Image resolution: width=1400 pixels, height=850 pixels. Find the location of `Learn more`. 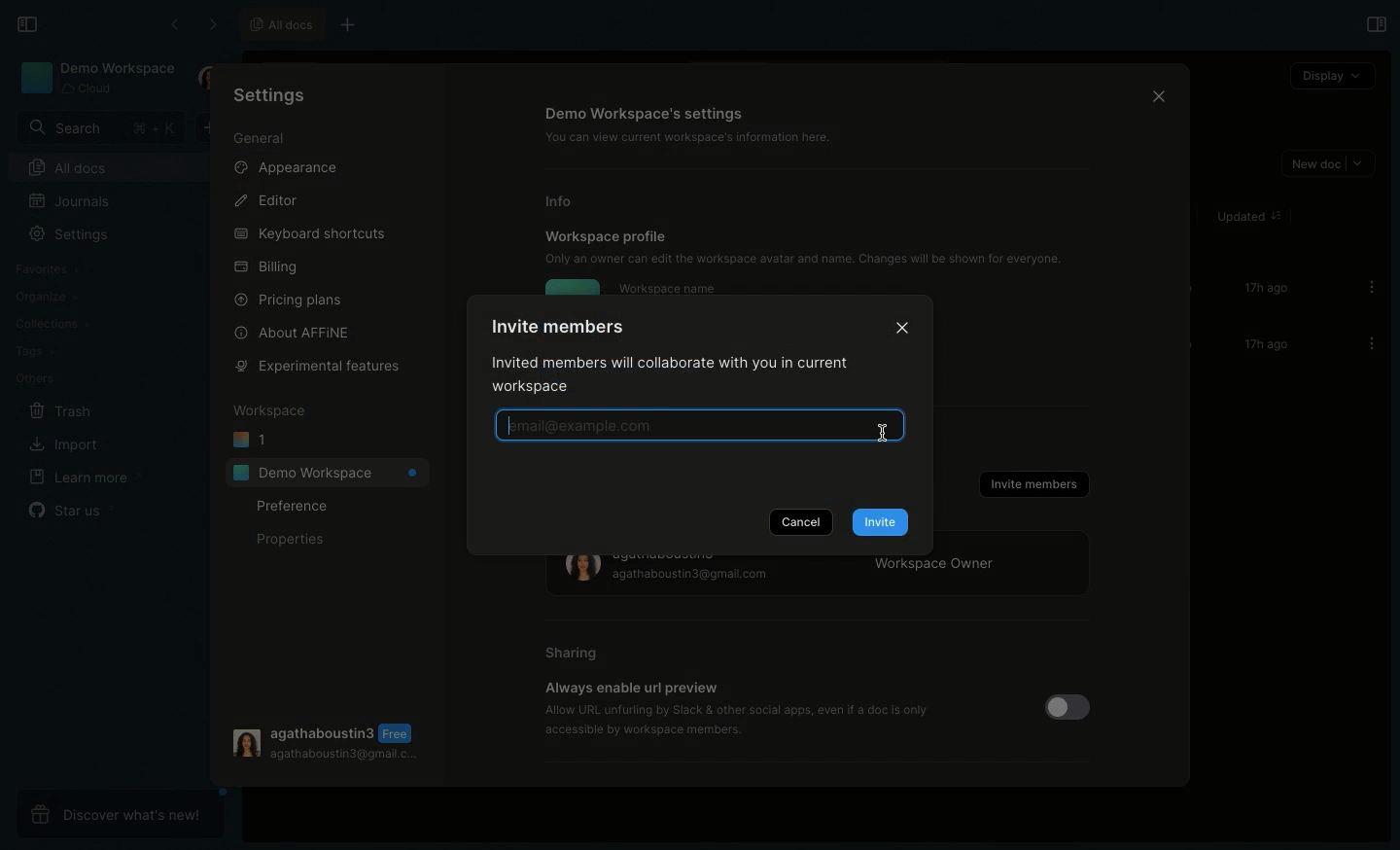

Learn more is located at coordinates (82, 478).